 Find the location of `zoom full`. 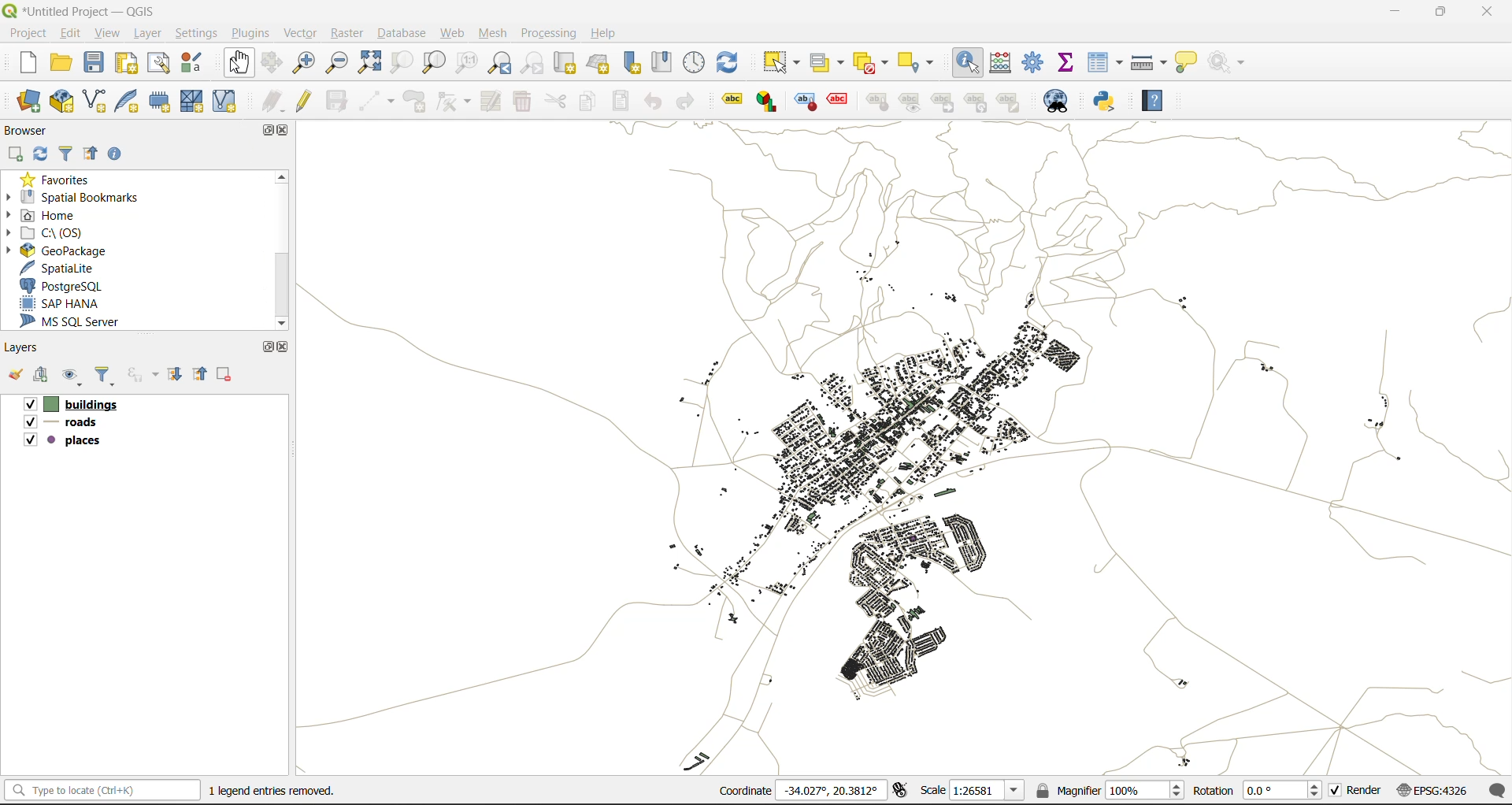

zoom full is located at coordinates (372, 63).